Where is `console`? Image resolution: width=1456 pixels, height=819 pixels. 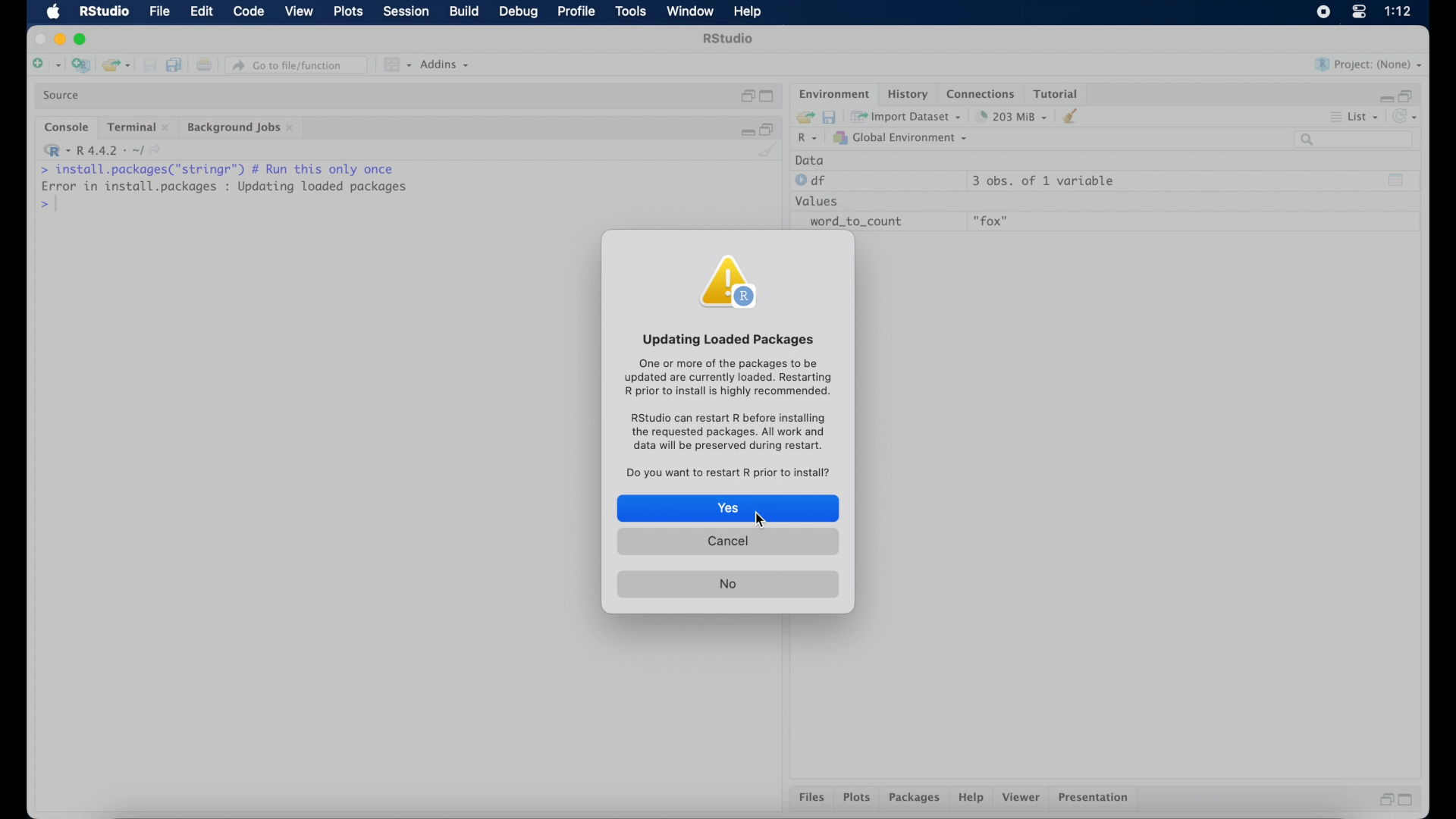 console is located at coordinates (67, 127).